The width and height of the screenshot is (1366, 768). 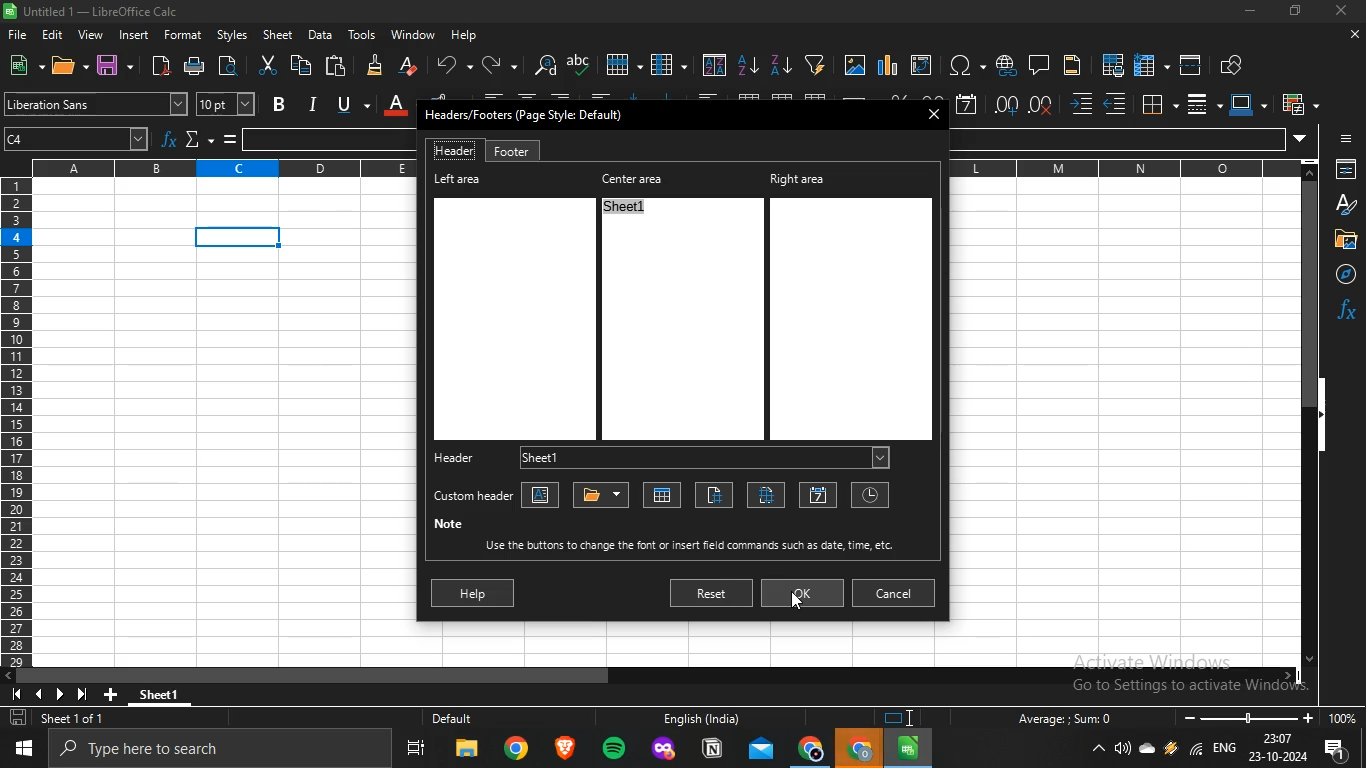 I want to click on sheet1, so click(x=703, y=458).